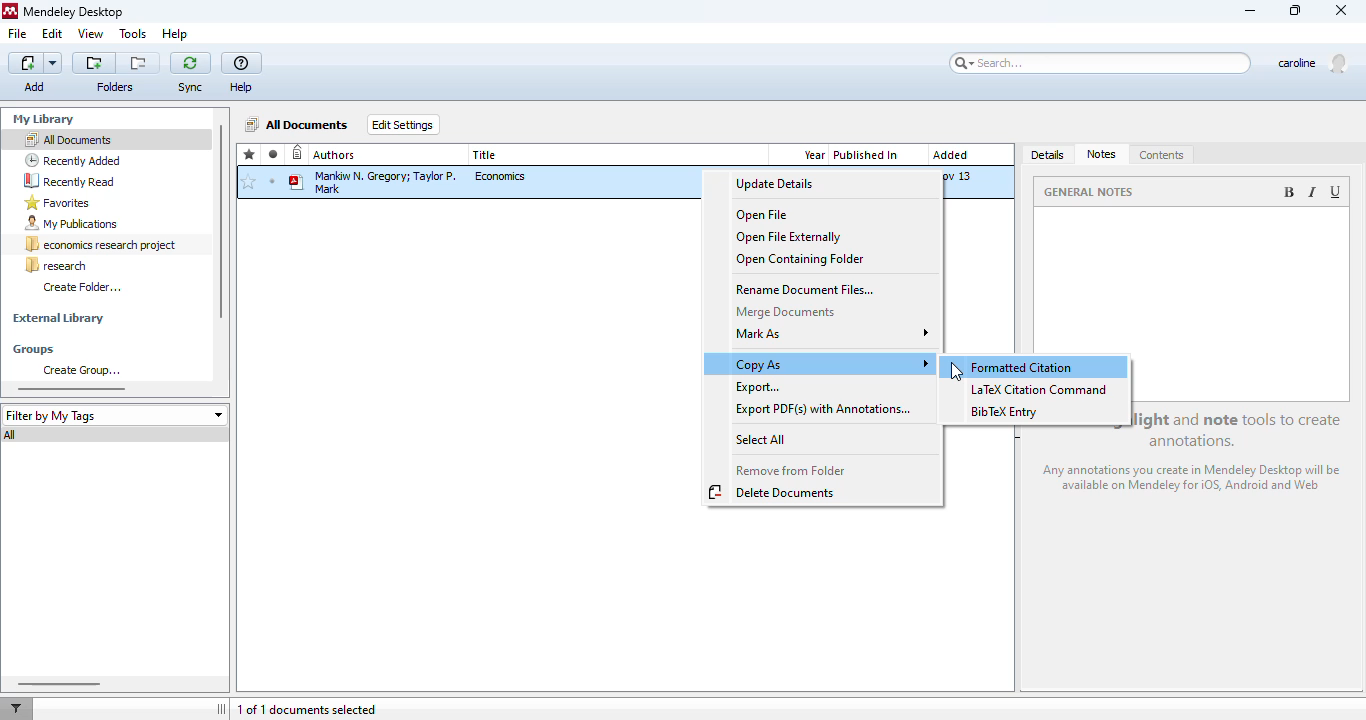 The image size is (1366, 720). I want to click on favorites, so click(250, 155).